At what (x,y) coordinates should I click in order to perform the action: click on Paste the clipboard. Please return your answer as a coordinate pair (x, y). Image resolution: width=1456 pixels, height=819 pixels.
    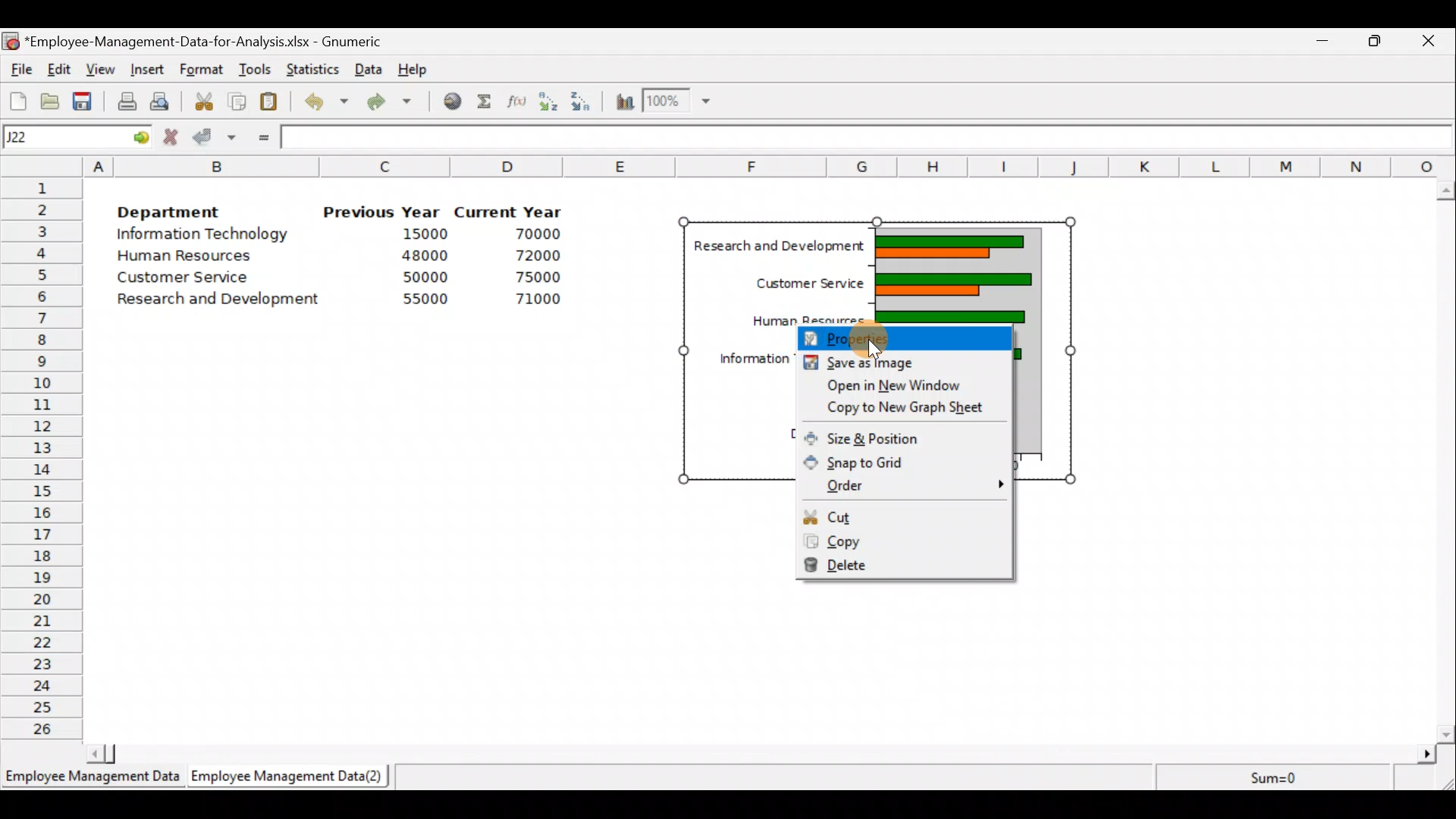
    Looking at the image, I should click on (273, 103).